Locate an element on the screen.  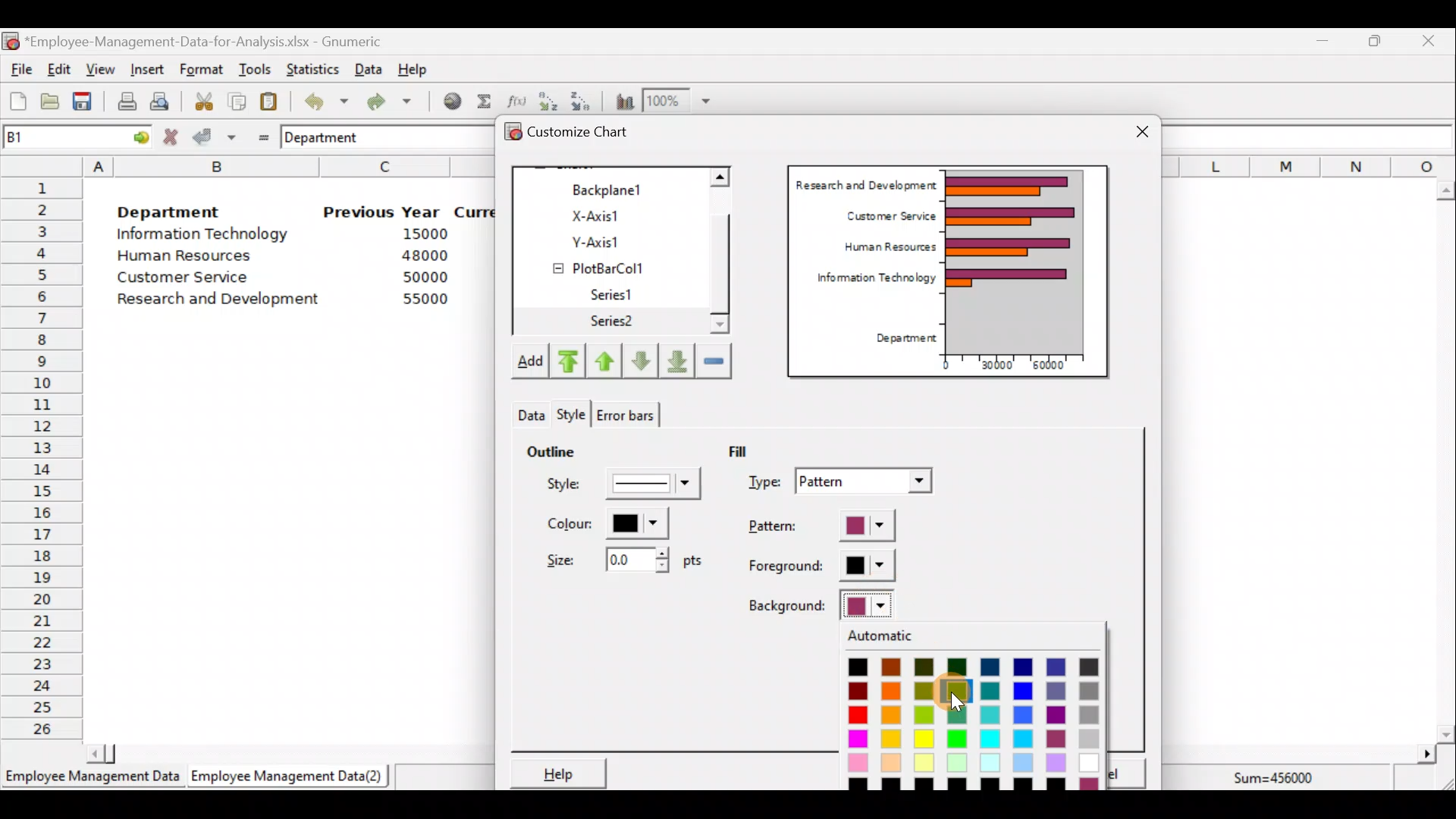
Save the current workbook is located at coordinates (87, 104).